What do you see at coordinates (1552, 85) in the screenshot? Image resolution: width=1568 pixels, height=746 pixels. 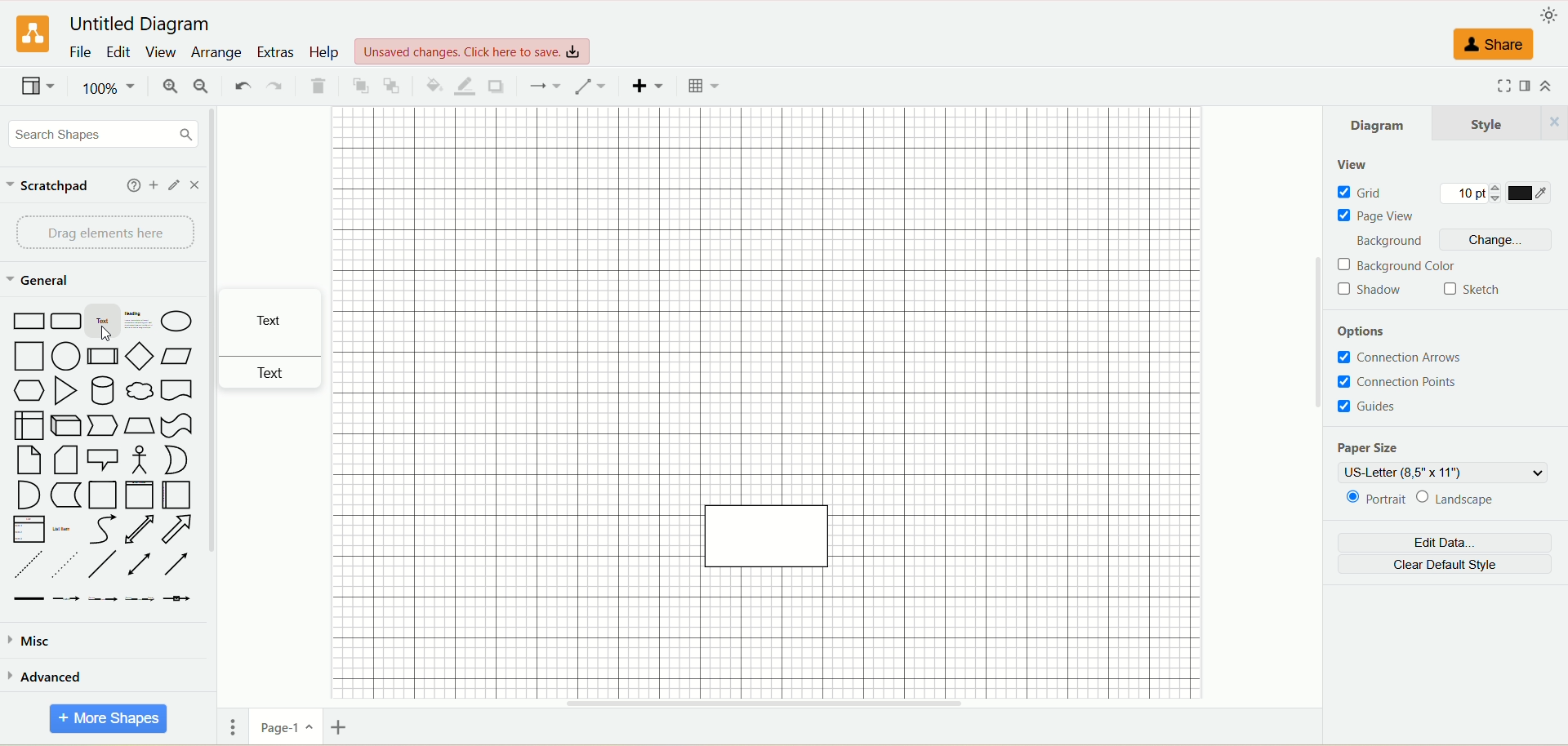 I see `expand/collapse` at bounding box center [1552, 85].